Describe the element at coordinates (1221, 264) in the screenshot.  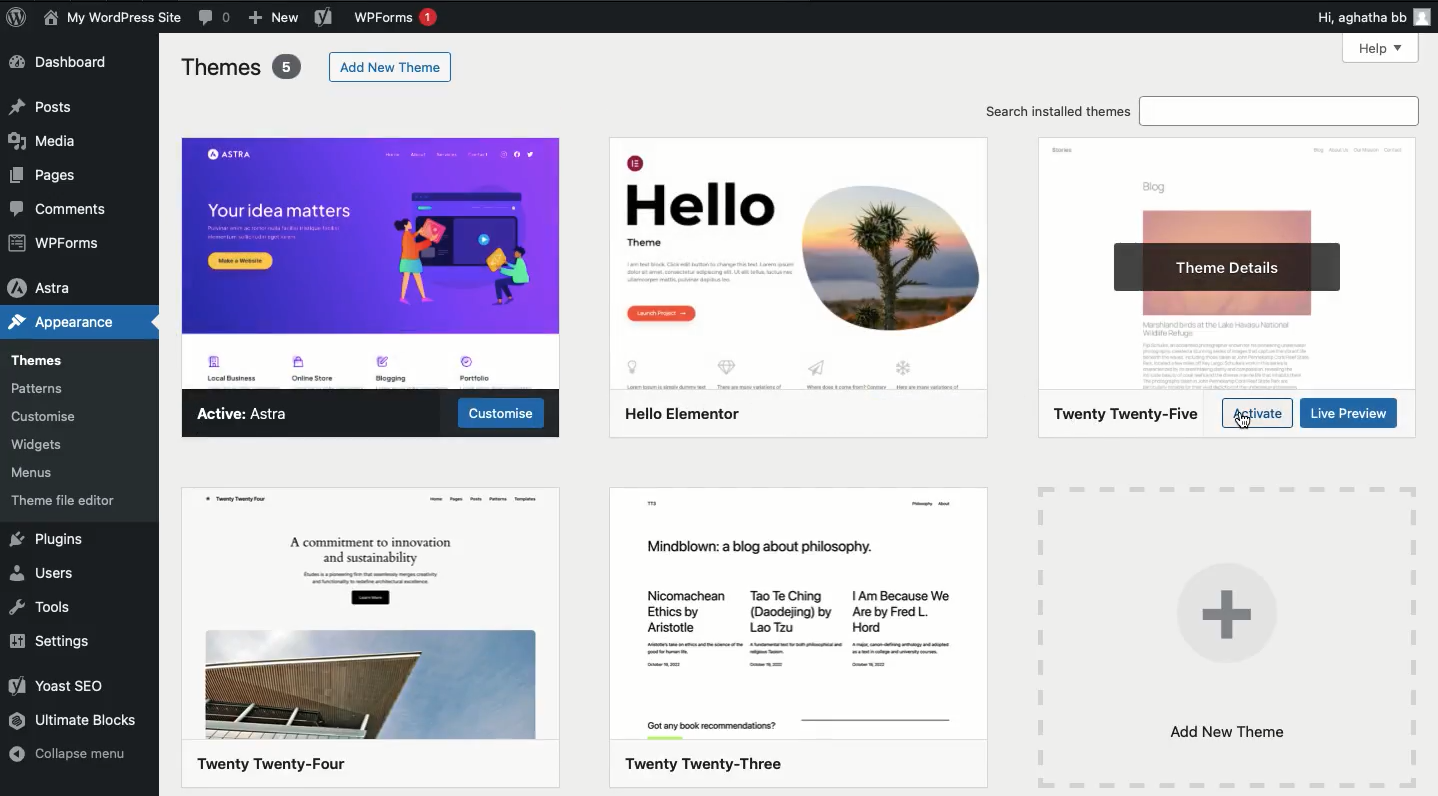
I see `Theme details` at that location.